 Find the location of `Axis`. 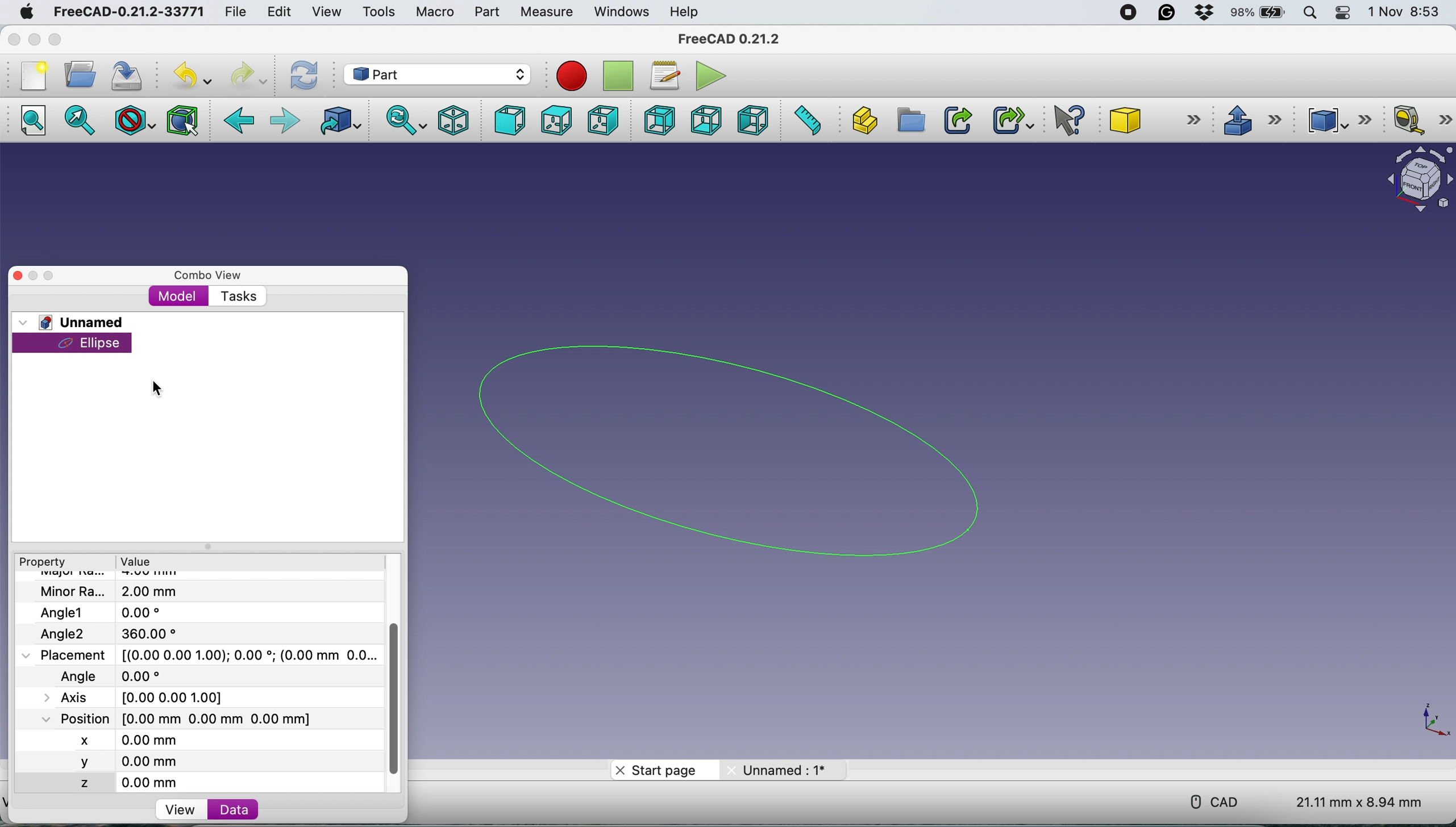

Axis is located at coordinates (144, 695).